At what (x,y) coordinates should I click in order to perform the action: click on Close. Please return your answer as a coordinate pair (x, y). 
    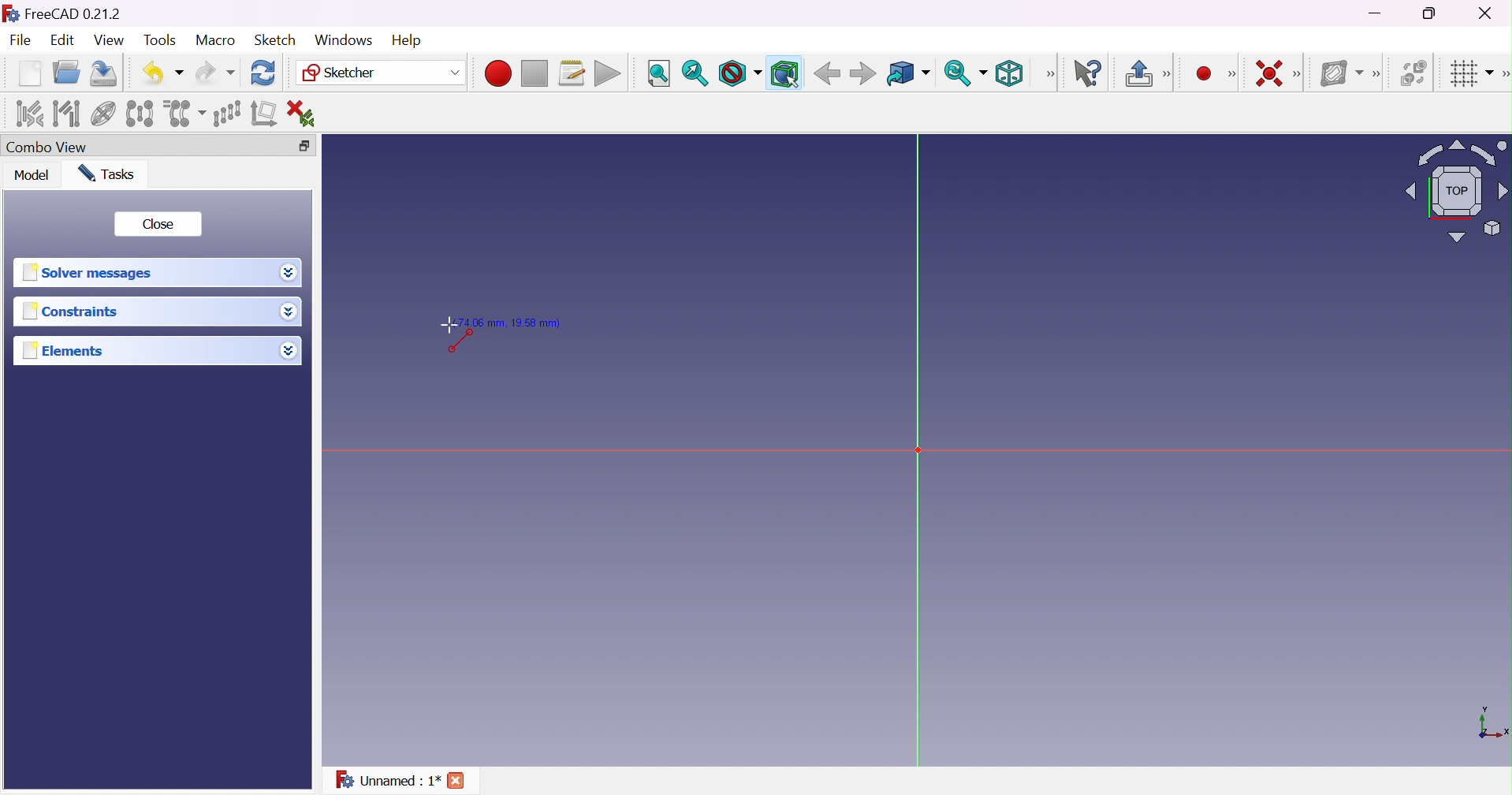
    Looking at the image, I should click on (460, 781).